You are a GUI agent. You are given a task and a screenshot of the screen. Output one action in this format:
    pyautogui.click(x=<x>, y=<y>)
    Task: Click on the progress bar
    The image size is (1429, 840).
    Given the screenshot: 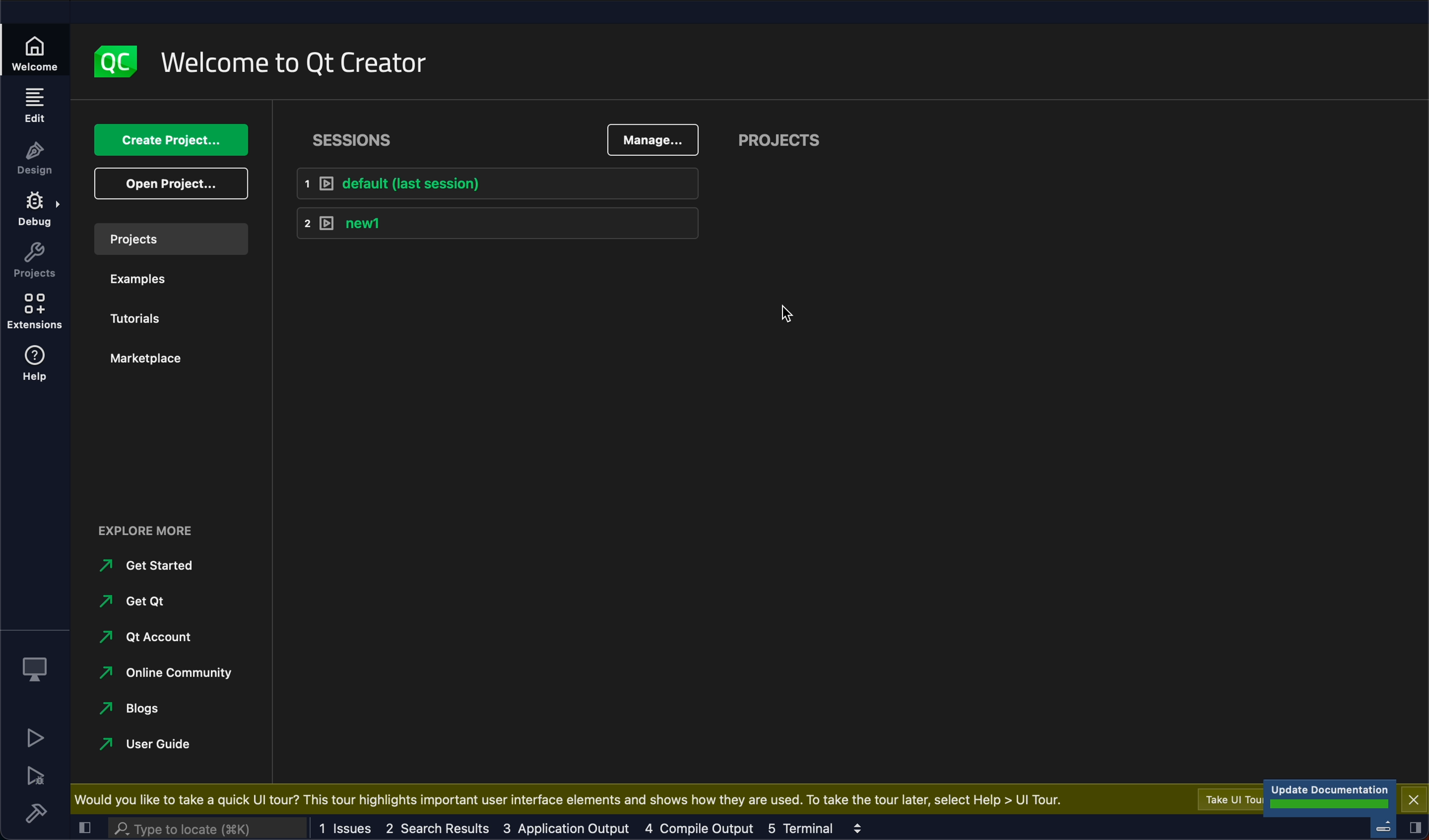 What is the action you would take?
    pyautogui.click(x=1383, y=825)
    